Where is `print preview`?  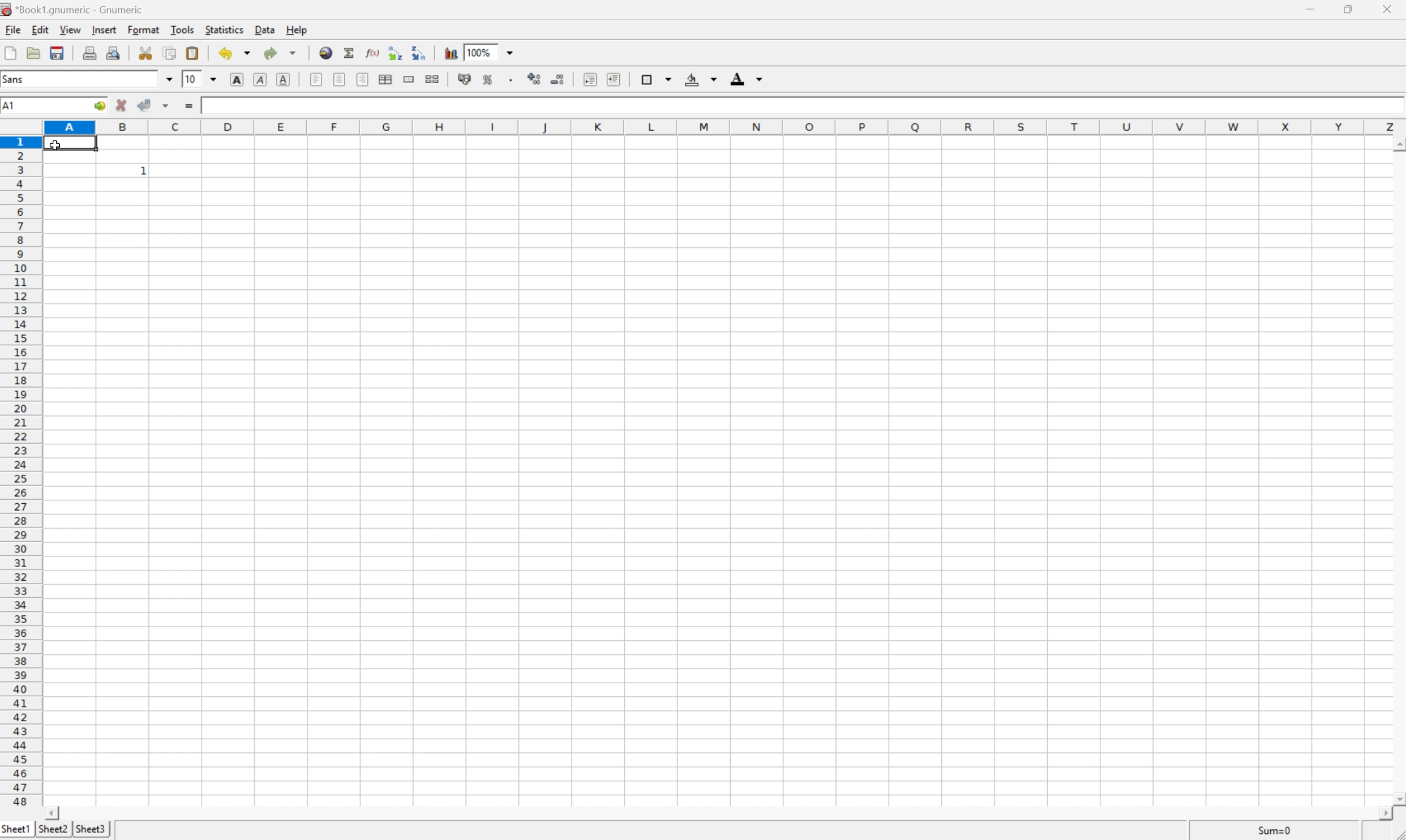
print preview is located at coordinates (115, 51).